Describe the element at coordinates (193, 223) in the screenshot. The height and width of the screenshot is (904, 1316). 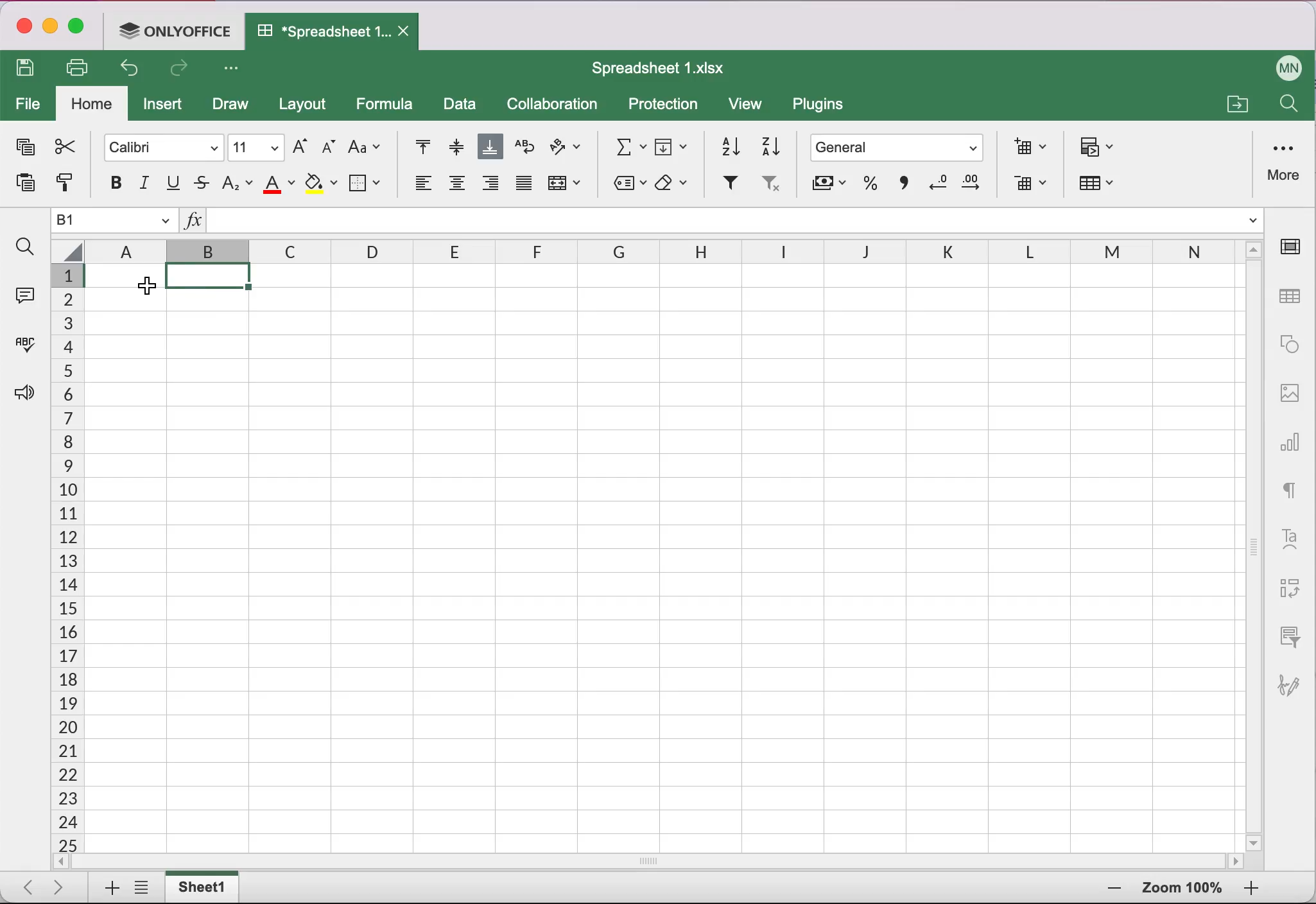
I see `Insert function` at that location.